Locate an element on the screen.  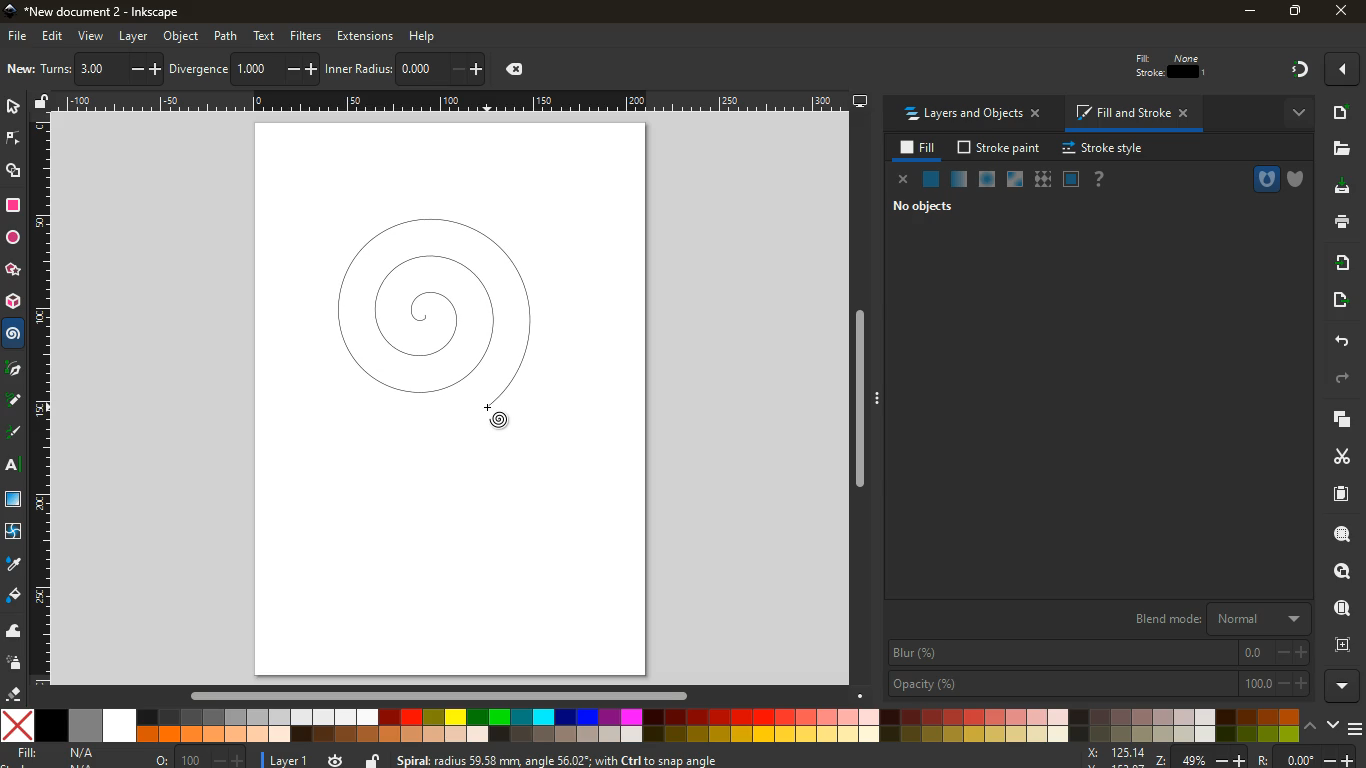
find is located at coordinates (1339, 608).